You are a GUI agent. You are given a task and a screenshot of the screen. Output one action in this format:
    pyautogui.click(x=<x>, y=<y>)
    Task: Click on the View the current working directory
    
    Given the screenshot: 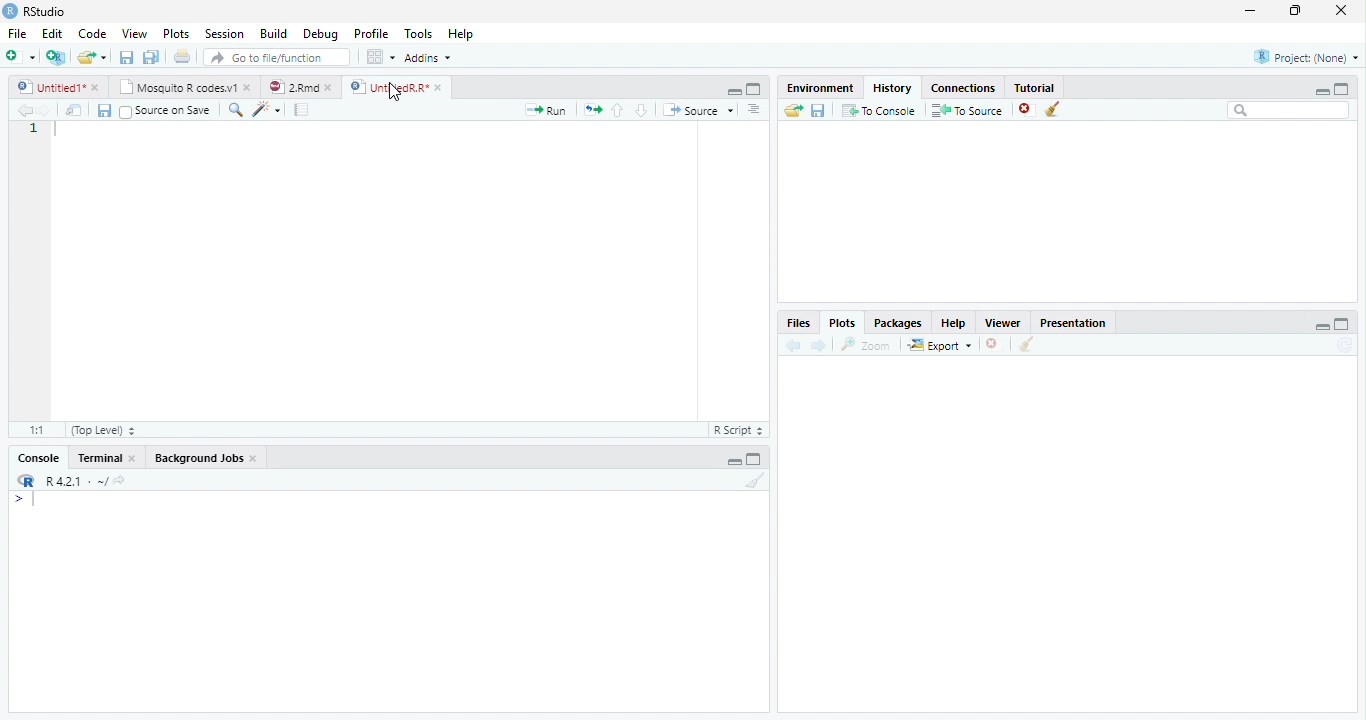 What is the action you would take?
    pyautogui.click(x=120, y=478)
    